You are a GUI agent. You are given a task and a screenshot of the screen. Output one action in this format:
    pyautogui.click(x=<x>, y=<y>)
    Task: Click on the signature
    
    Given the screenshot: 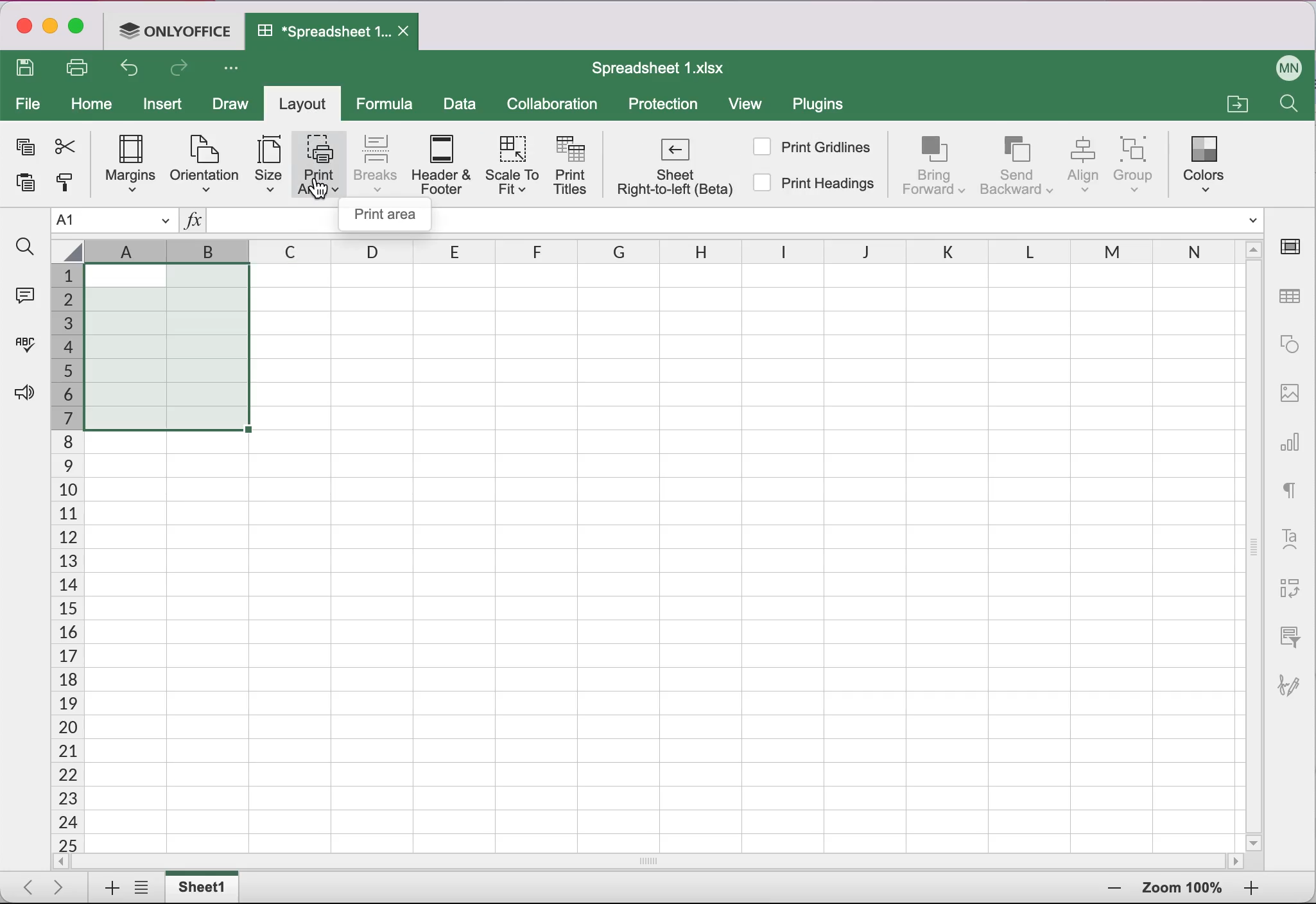 What is the action you would take?
    pyautogui.click(x=1295, y=679)
    